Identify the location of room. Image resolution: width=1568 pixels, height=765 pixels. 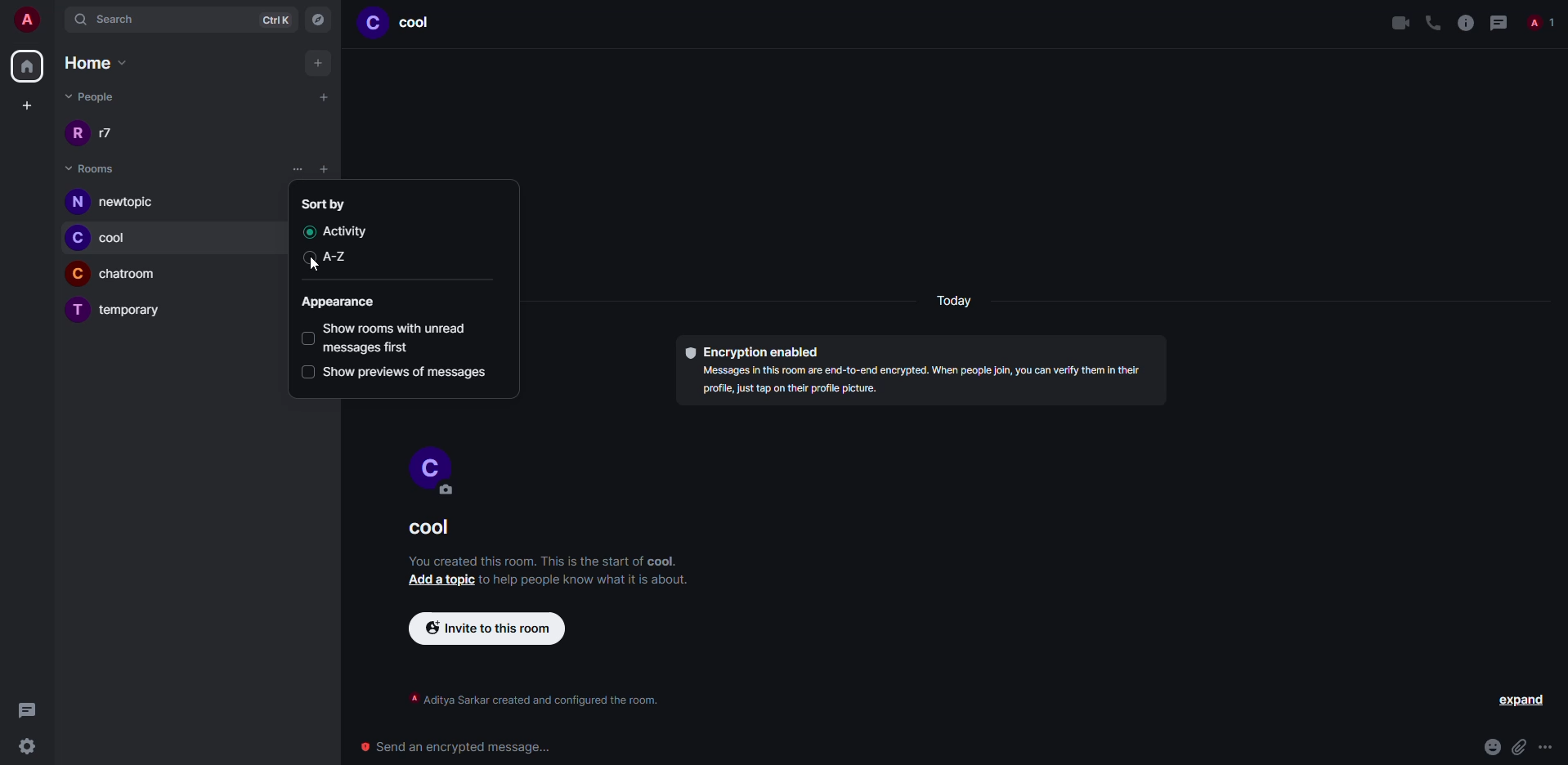
(422, 530).